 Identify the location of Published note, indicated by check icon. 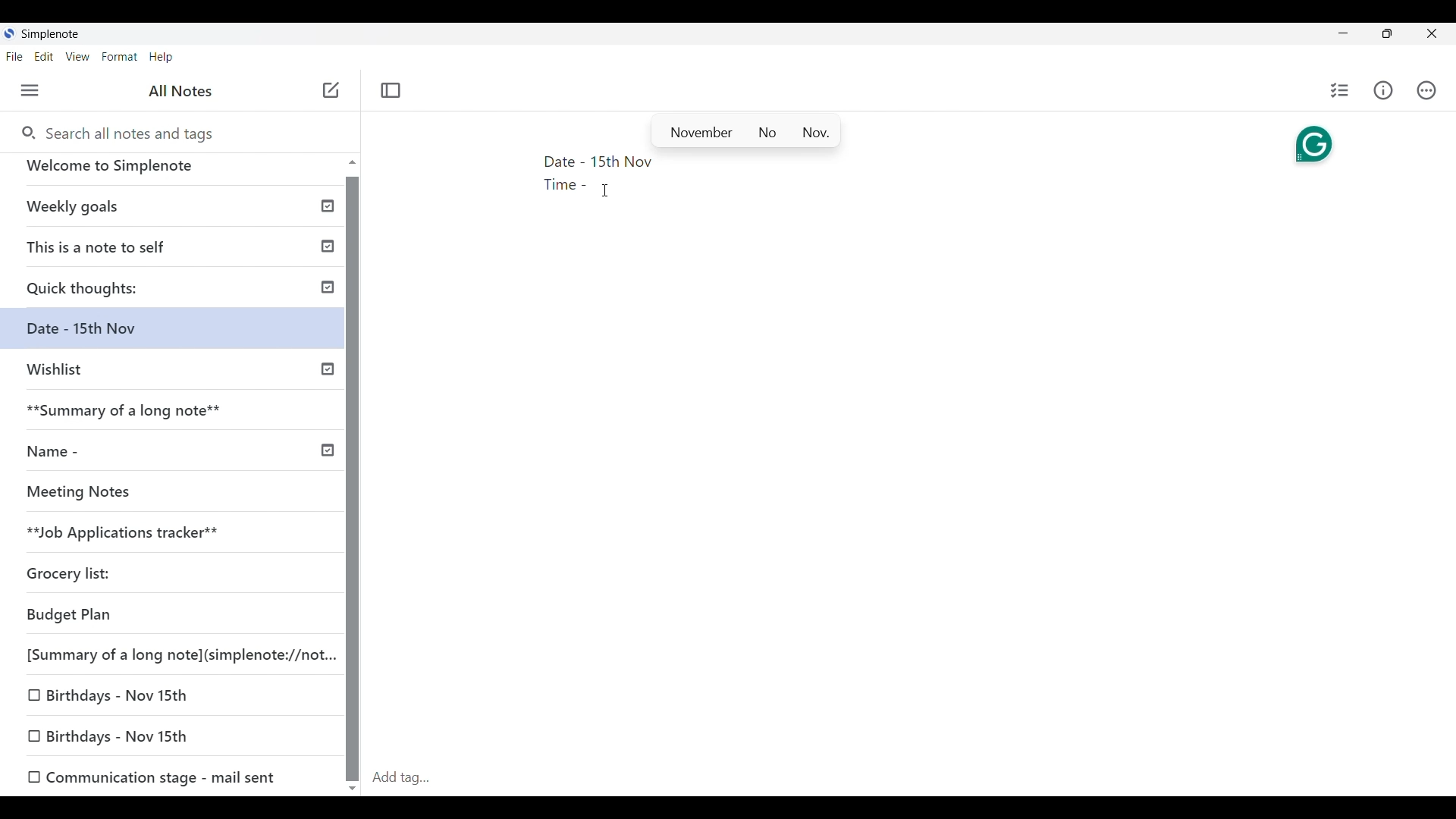
(178, 416).